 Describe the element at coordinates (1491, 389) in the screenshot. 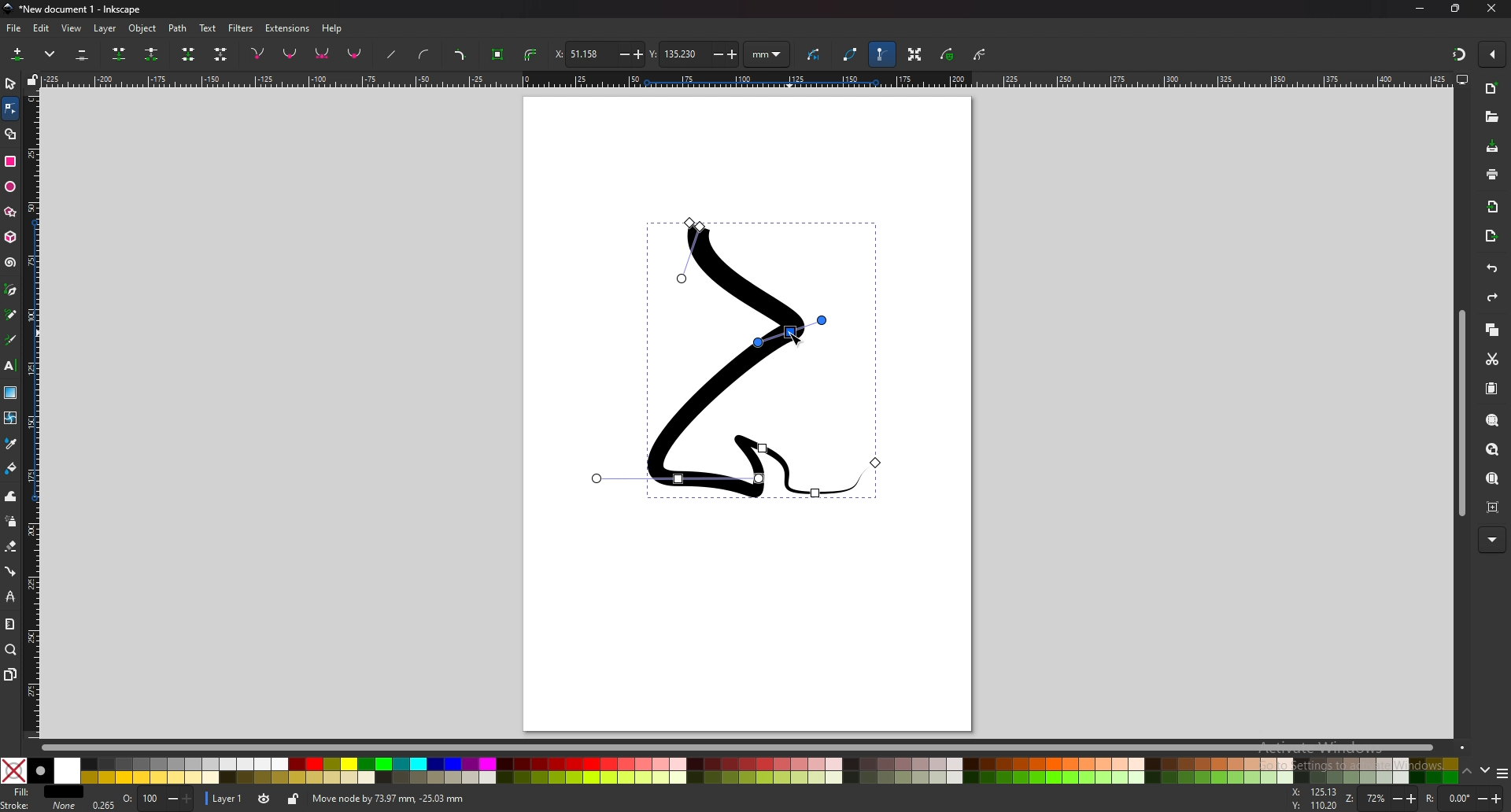

I see `paste` at that location.